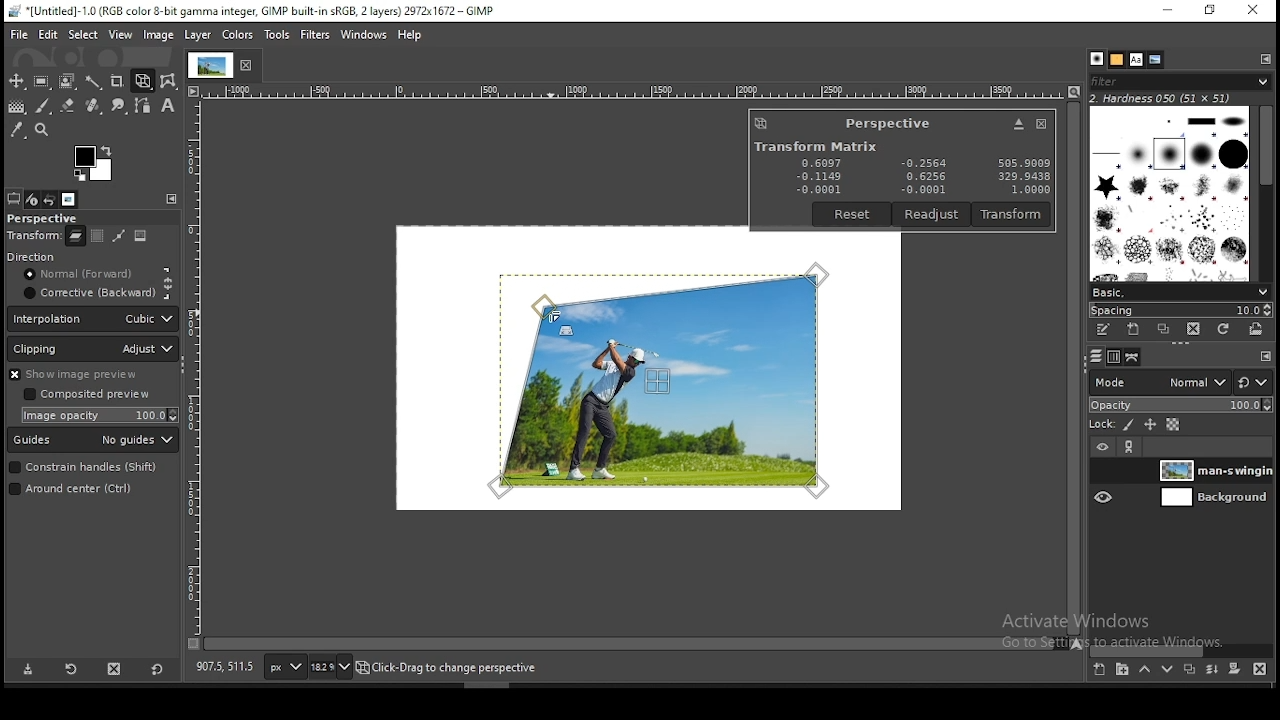  I want to click on crop tool, so click(119, 81).